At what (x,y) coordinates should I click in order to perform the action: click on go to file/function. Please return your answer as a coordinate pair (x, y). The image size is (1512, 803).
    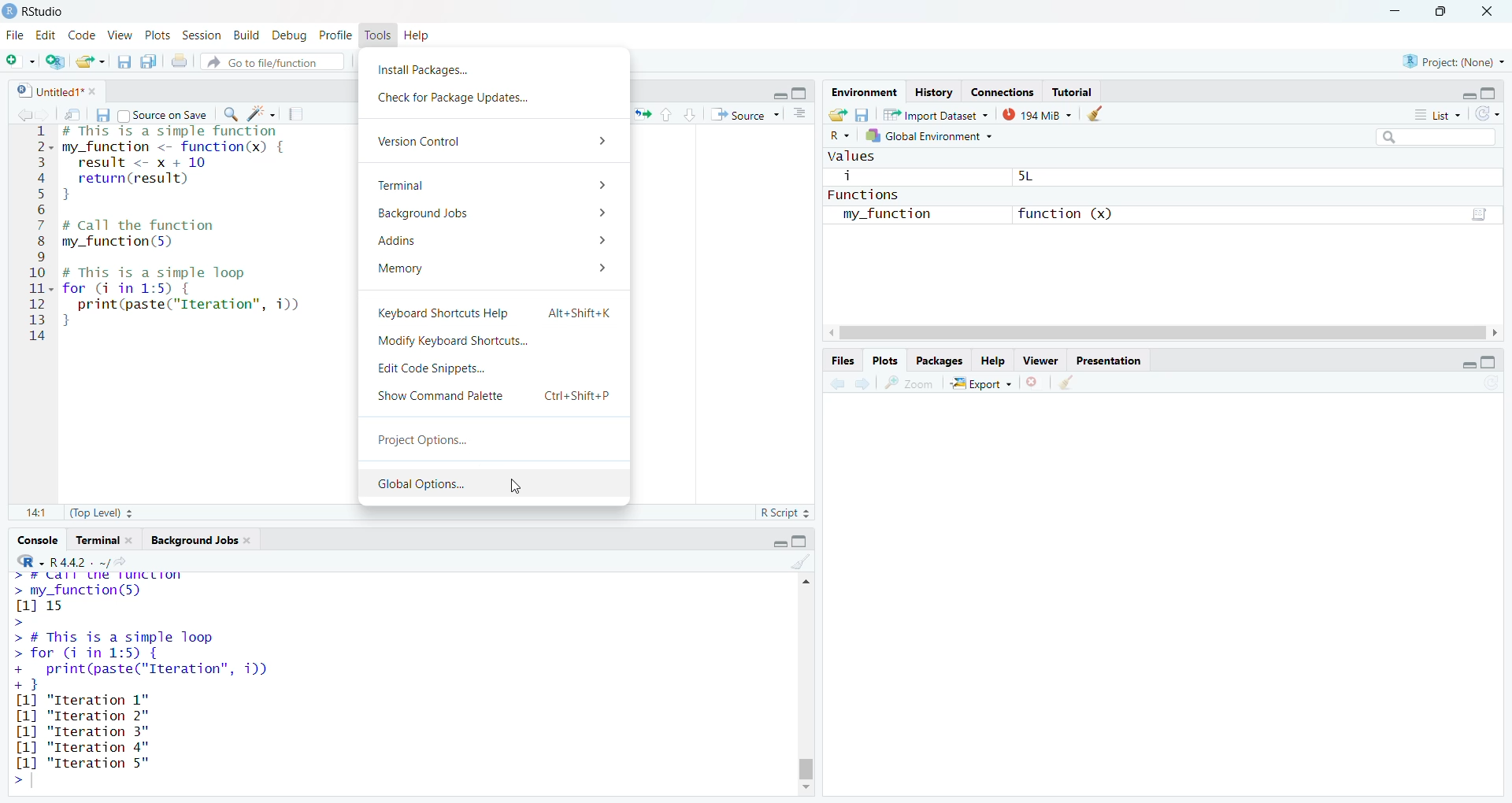
    Looking at the image, I should click on (273, 60).